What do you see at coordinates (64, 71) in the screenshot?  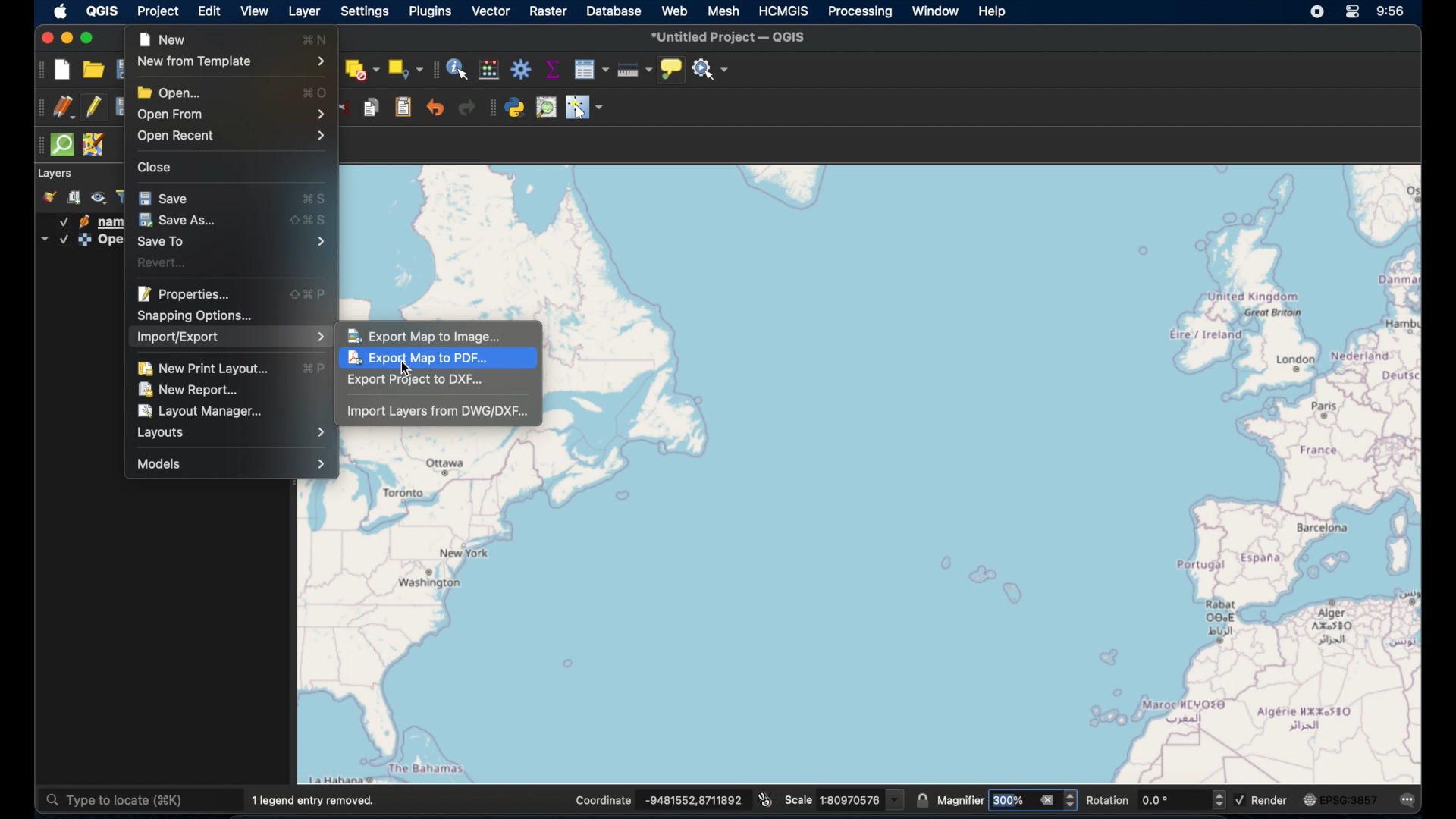 I see `new project` at bounding box center [64, 71].